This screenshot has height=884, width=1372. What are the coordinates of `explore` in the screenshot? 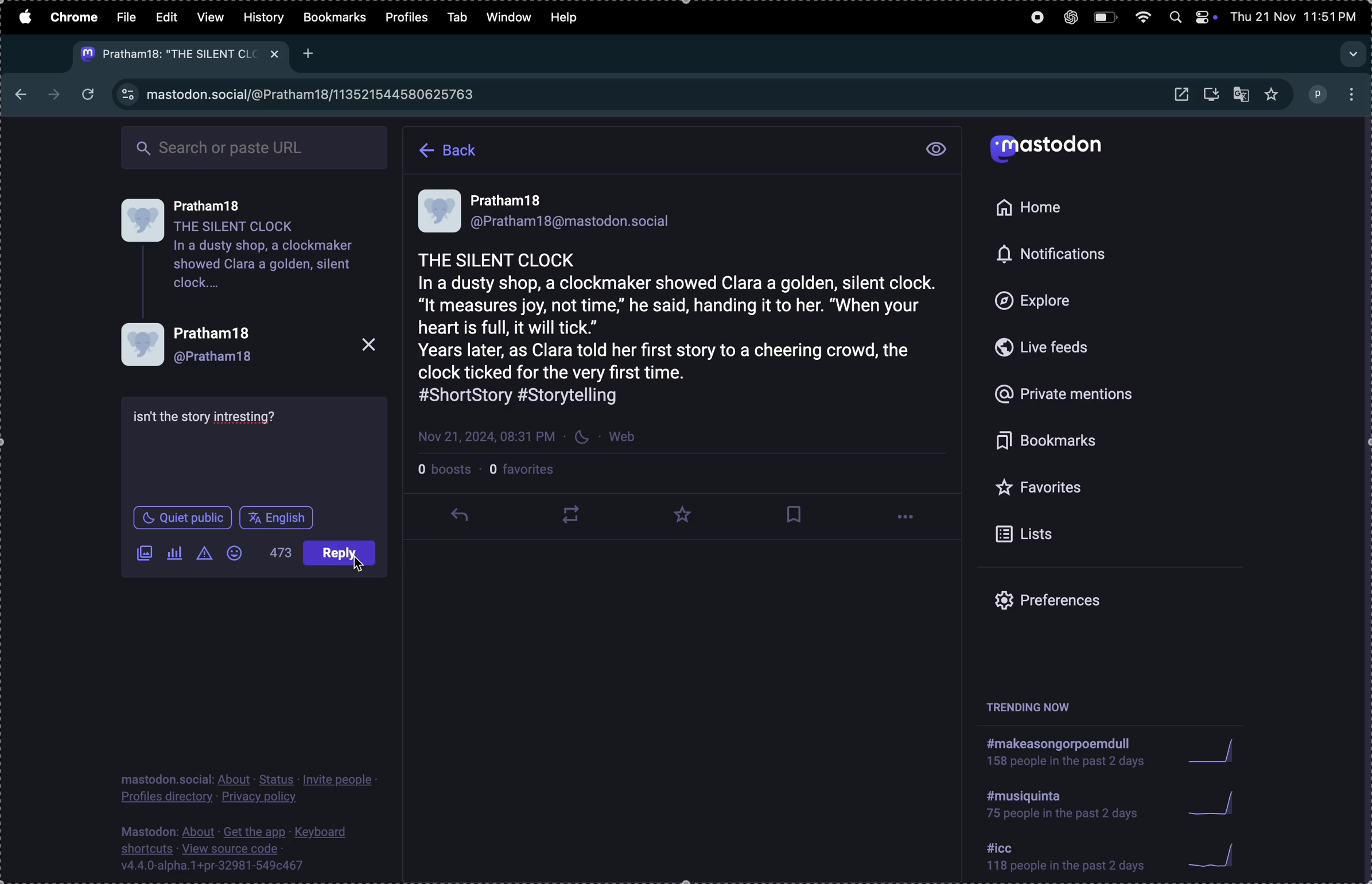 It's located at (1054, 301).